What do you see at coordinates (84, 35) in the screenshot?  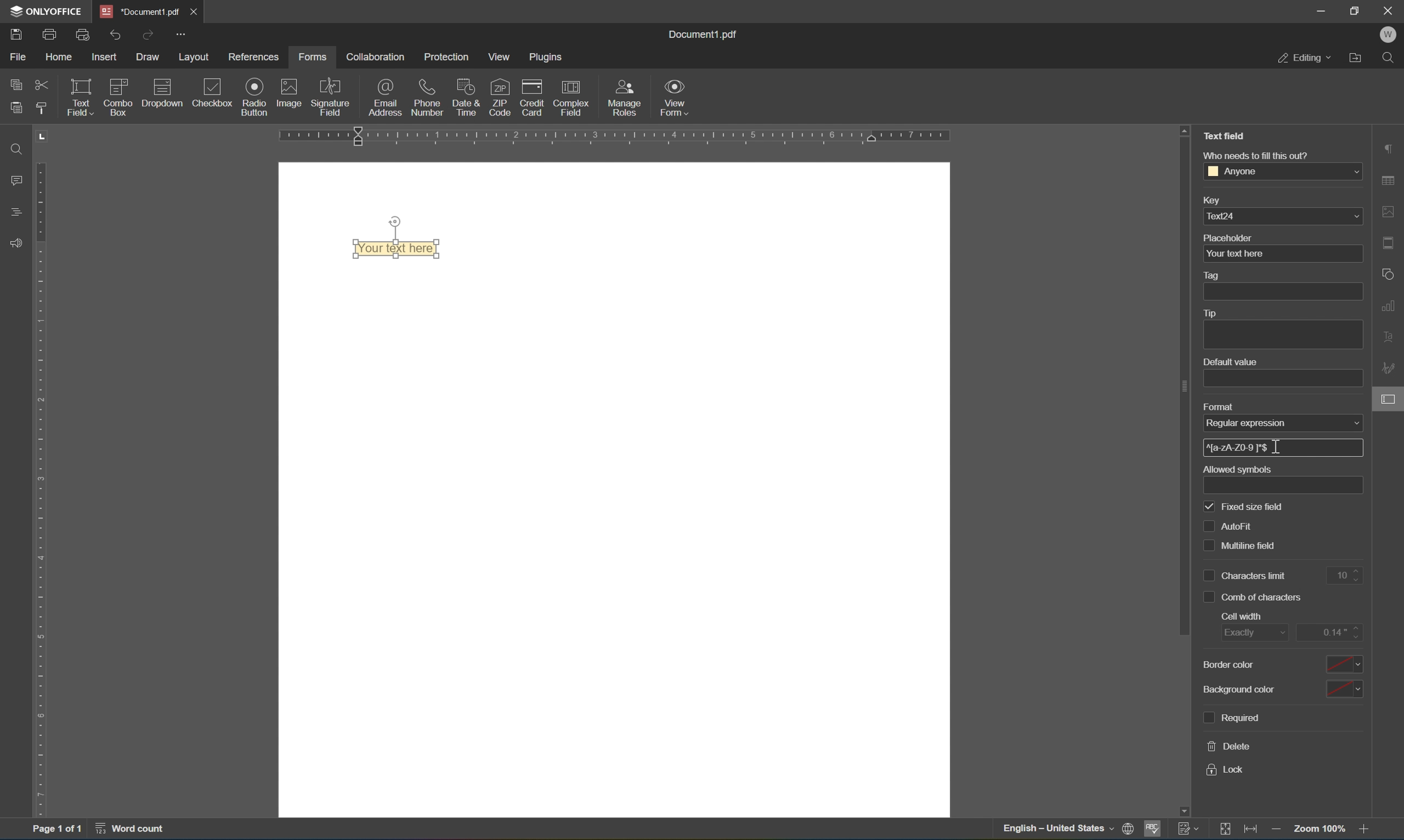 I see `quick print` at bounding box center [84, 35].